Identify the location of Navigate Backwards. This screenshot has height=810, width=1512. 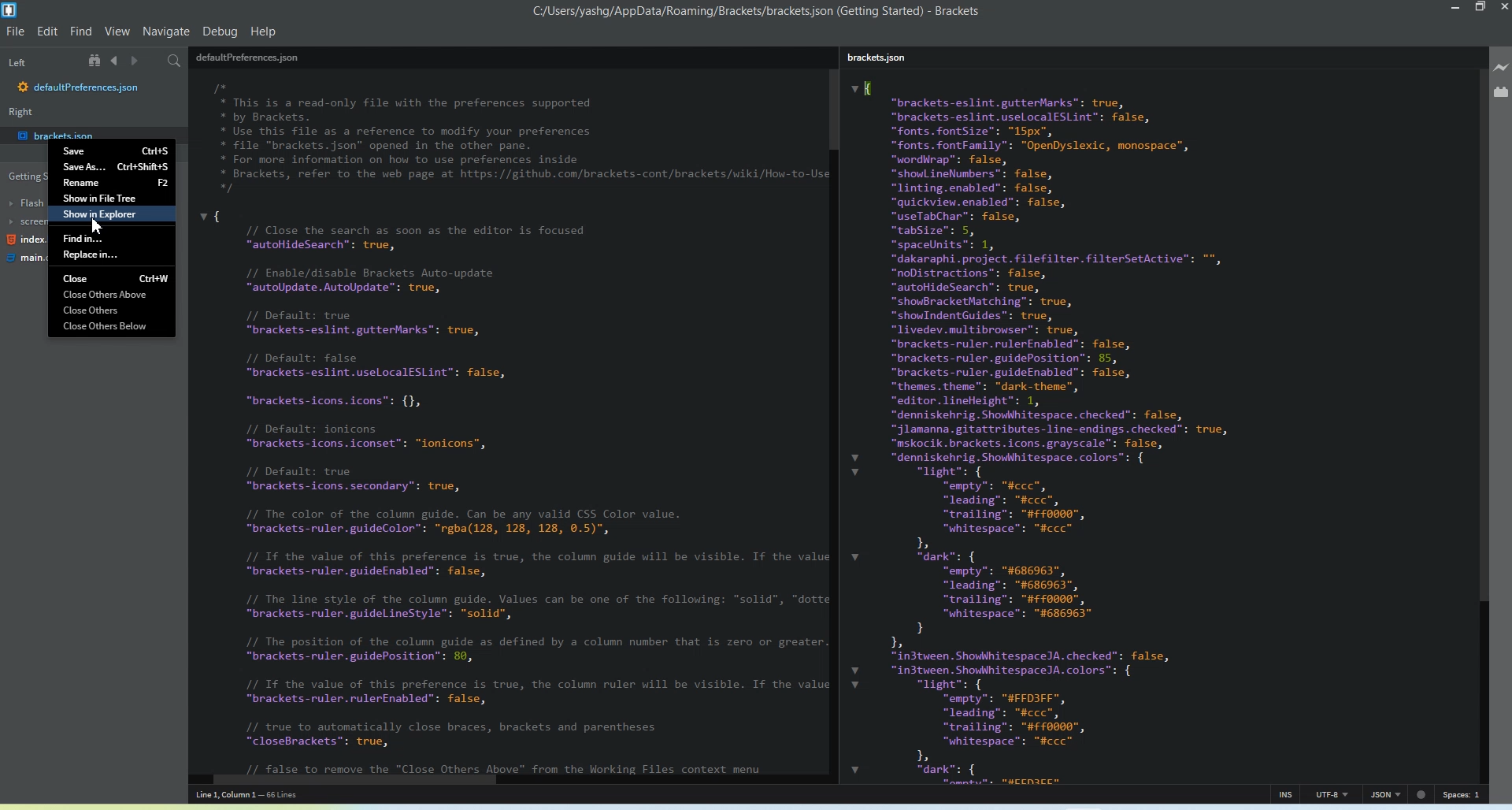
(117, 61).